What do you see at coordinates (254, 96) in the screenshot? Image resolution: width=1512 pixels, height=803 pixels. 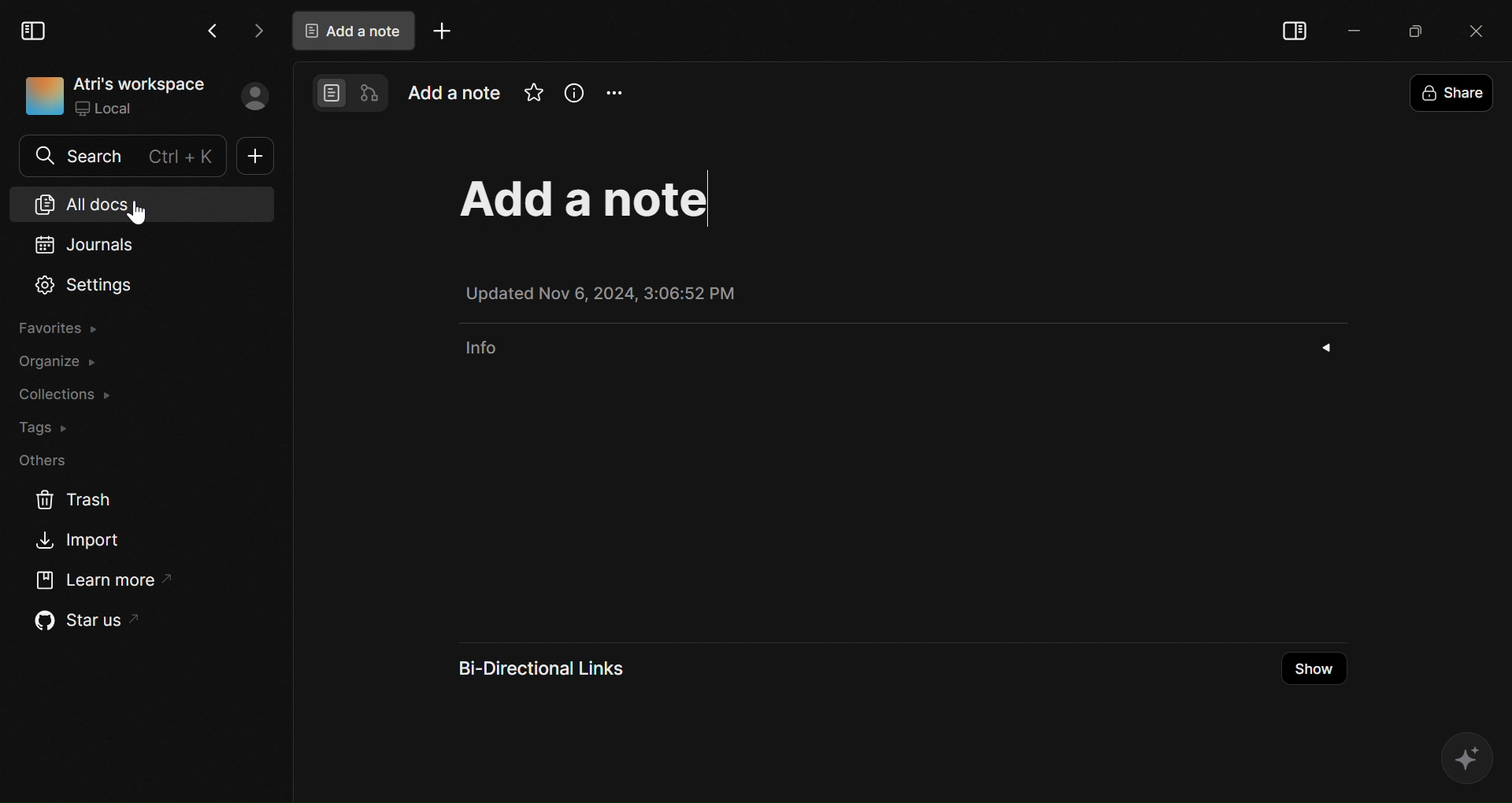 I see `Profile` at bounding box center [254, 96].